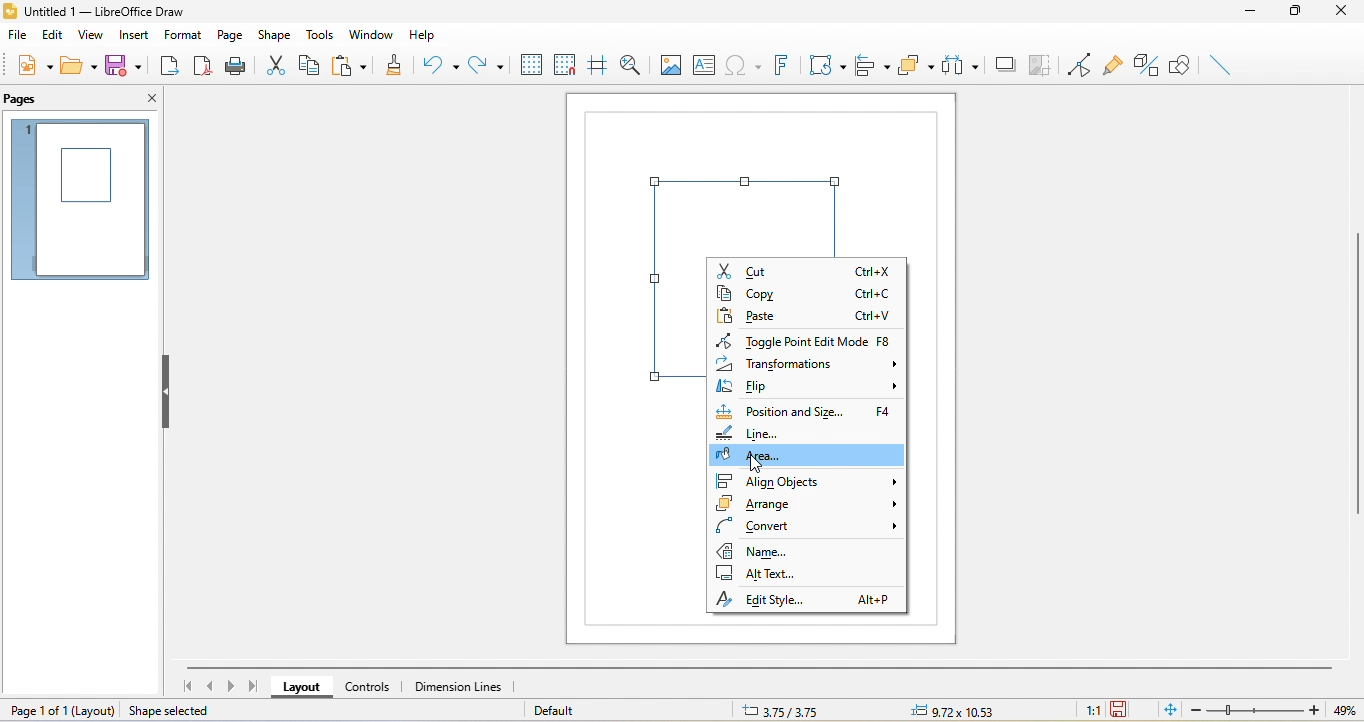 This screenshot has height=722, width=1364. What do you see at coordinates (394, 68) in the screenshot?
I see `clone formatting` at bounding box center [394, 68].